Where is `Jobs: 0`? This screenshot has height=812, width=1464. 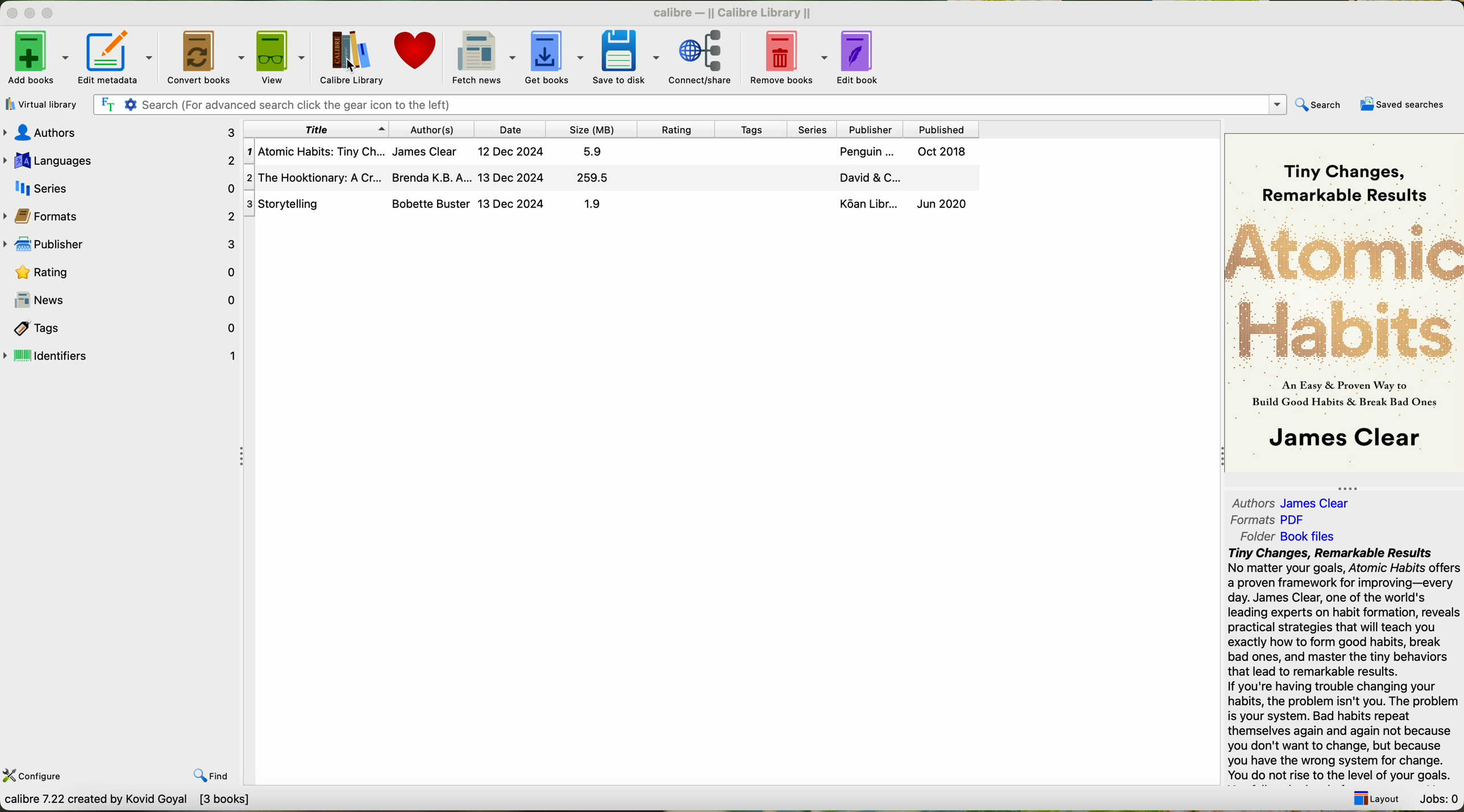
Jobs: 0 is located at coordinates (1438, 798).